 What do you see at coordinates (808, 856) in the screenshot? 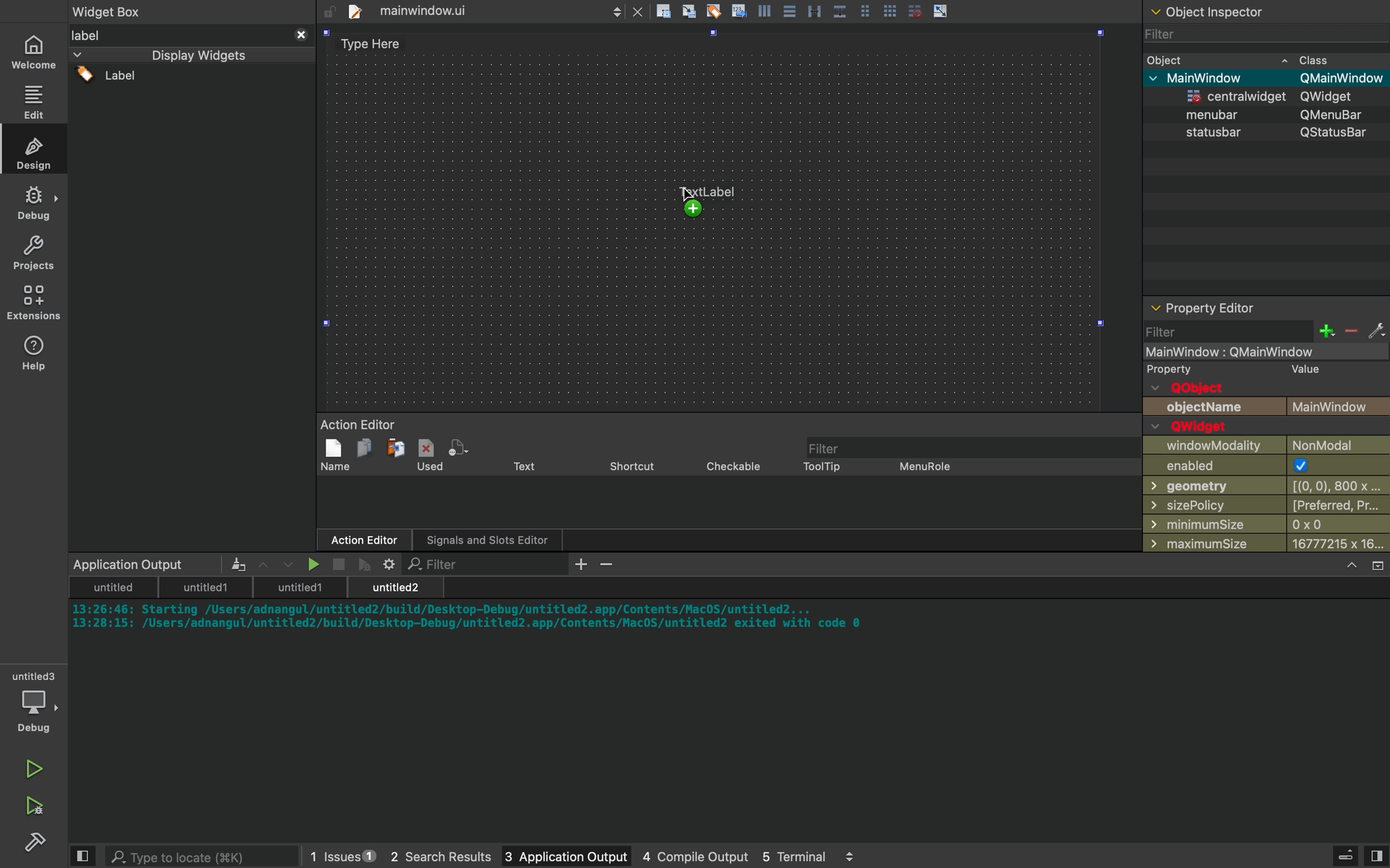
I see `5 terminal` at bounding box center [808, 856].